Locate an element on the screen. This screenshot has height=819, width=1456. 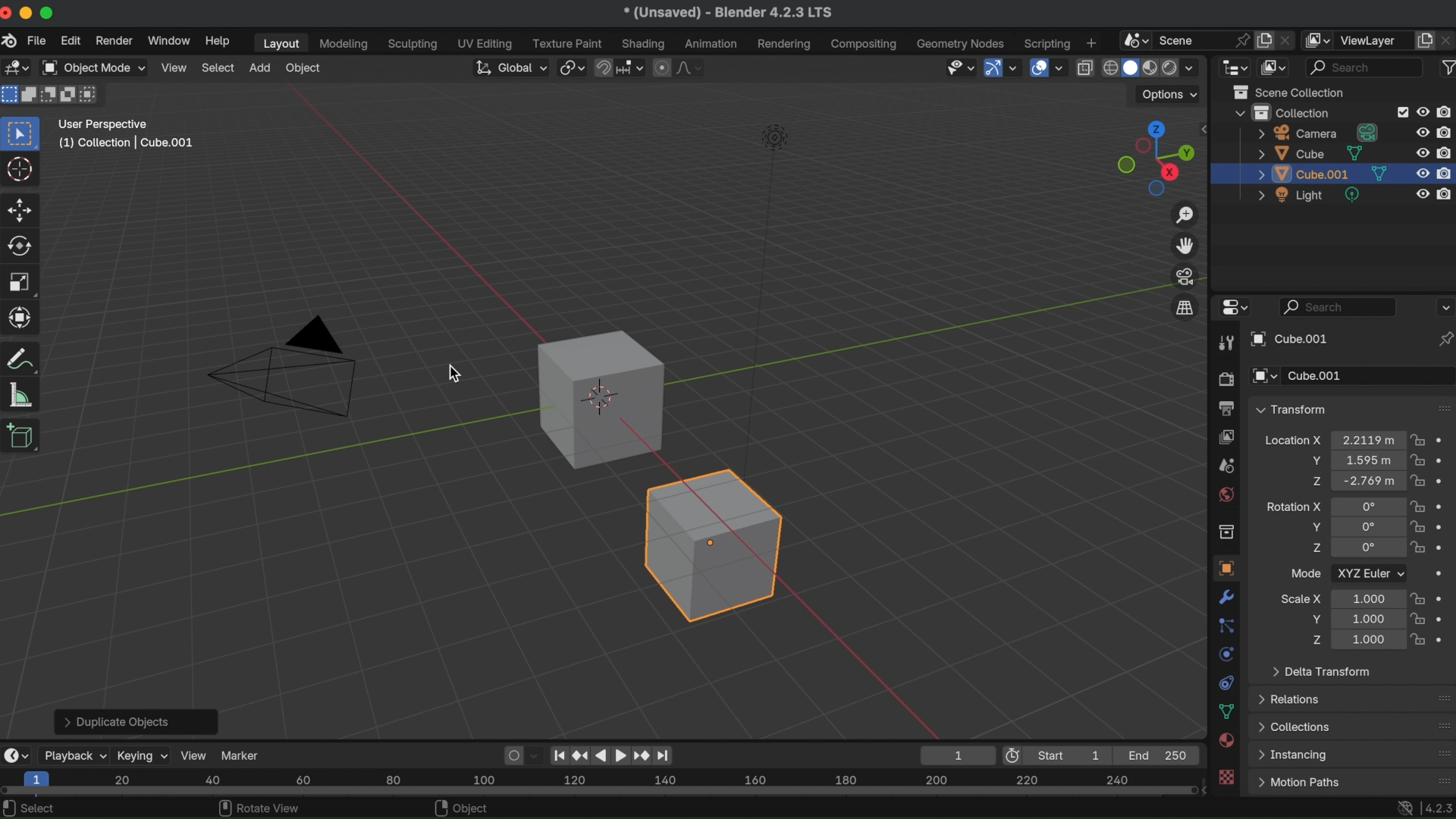
move is located at coordinates (21, 209).